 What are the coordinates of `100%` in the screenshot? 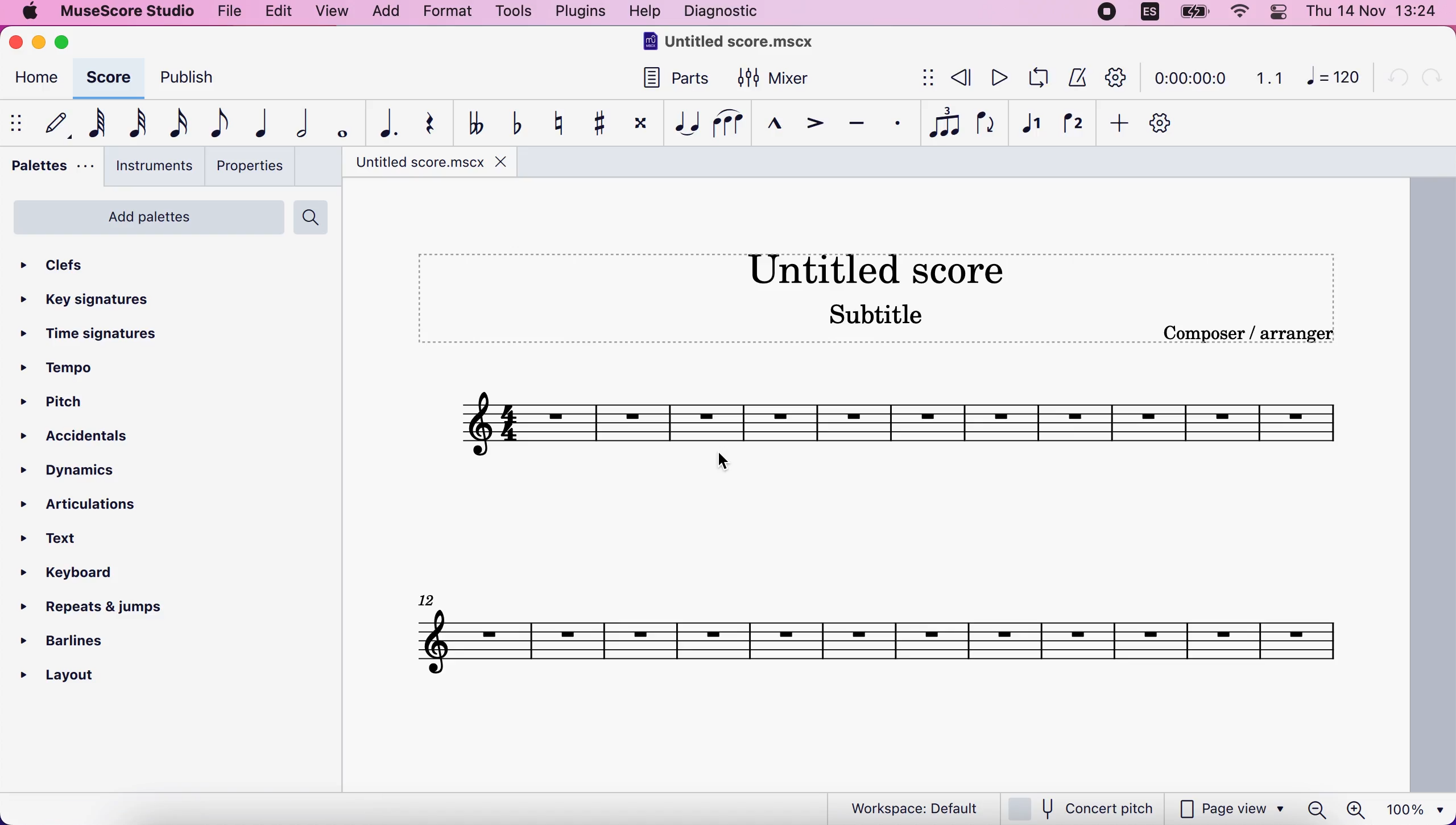 It's located at (1415, 807).